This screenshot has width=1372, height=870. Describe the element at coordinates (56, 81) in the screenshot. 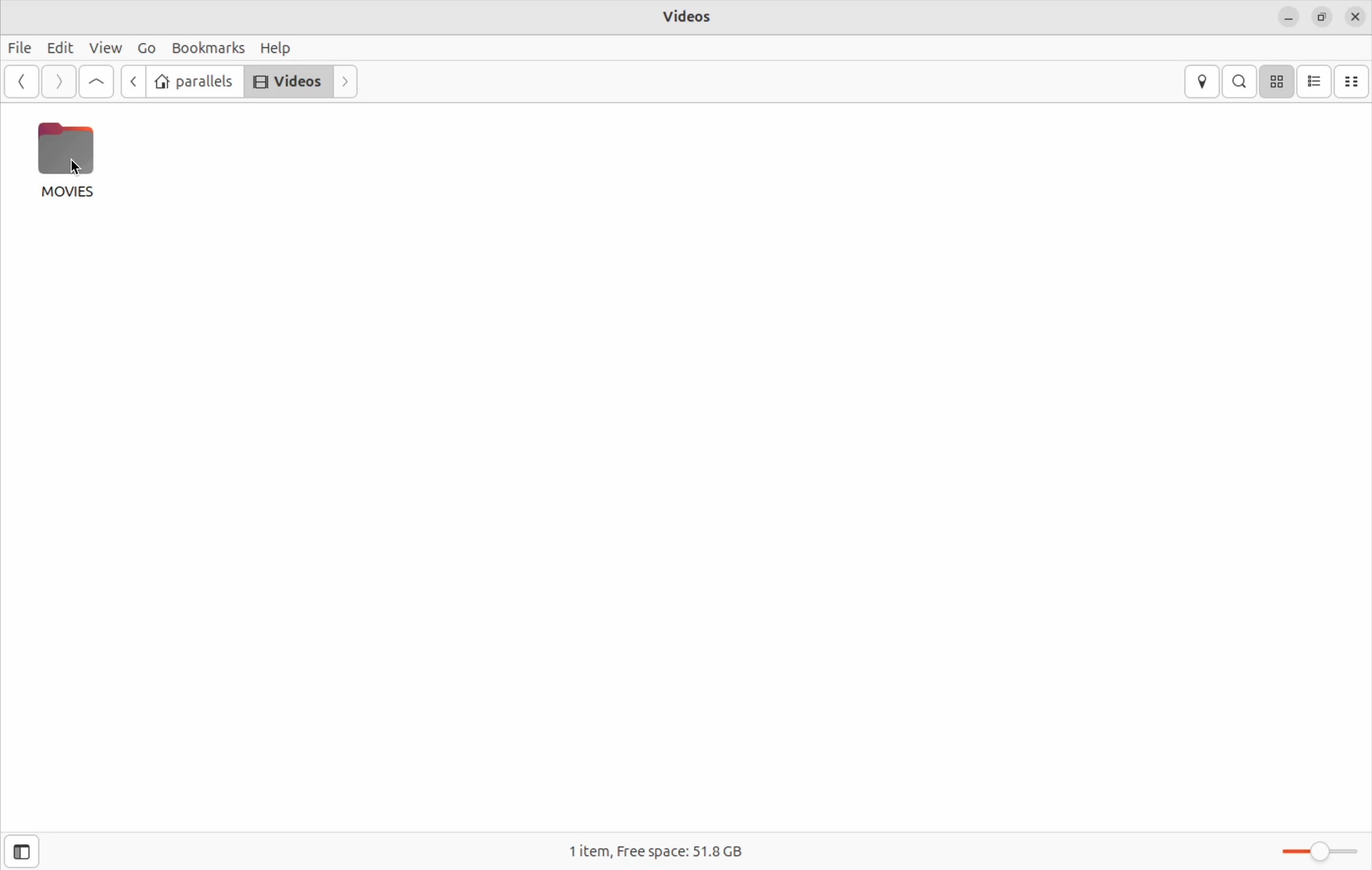

I see `next` at that location.